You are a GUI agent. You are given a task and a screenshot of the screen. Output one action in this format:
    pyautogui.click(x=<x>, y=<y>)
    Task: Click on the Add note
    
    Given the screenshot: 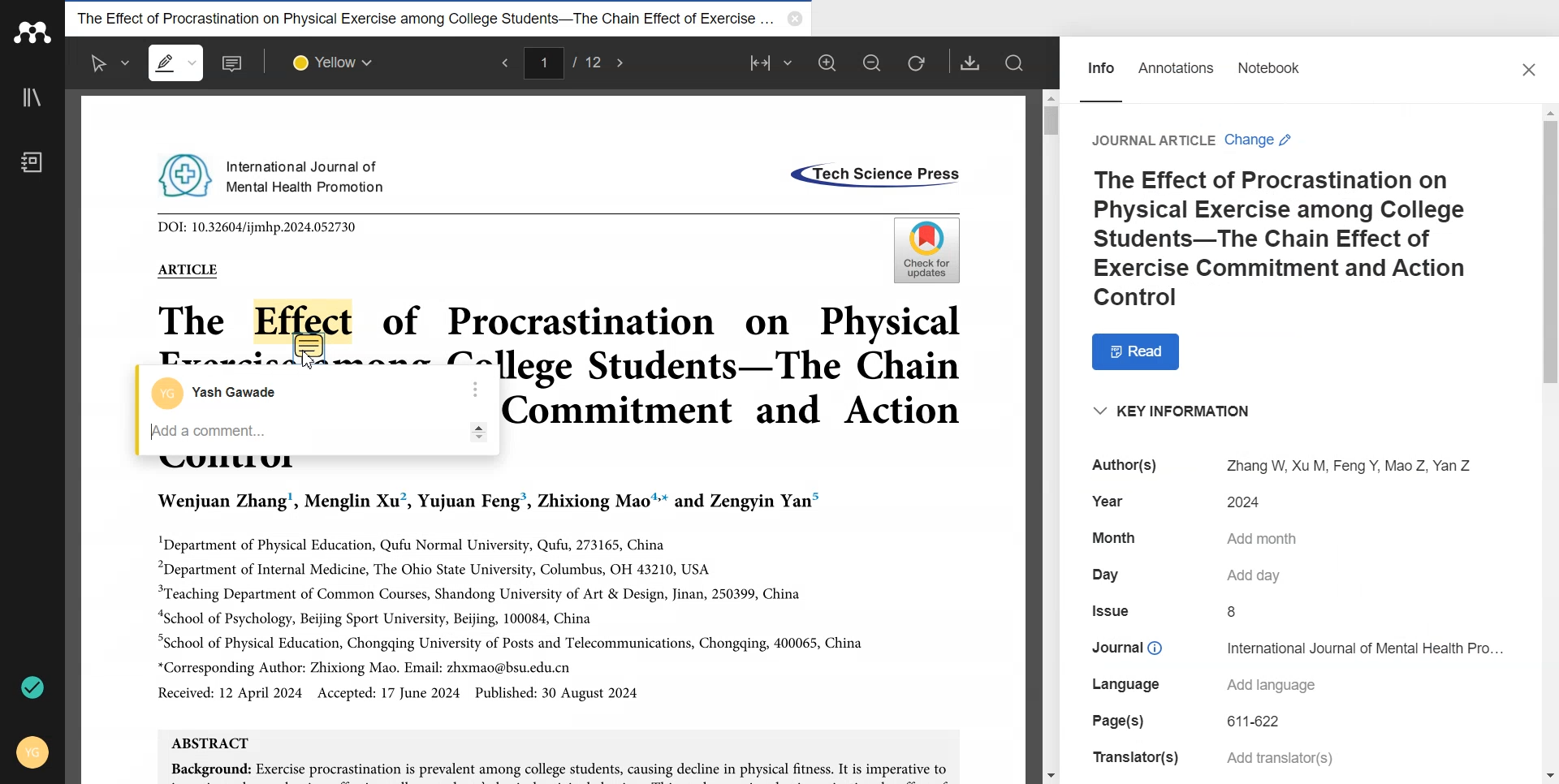 What is the action you would take?
    pyautogui.click(x=235, y=63)
    